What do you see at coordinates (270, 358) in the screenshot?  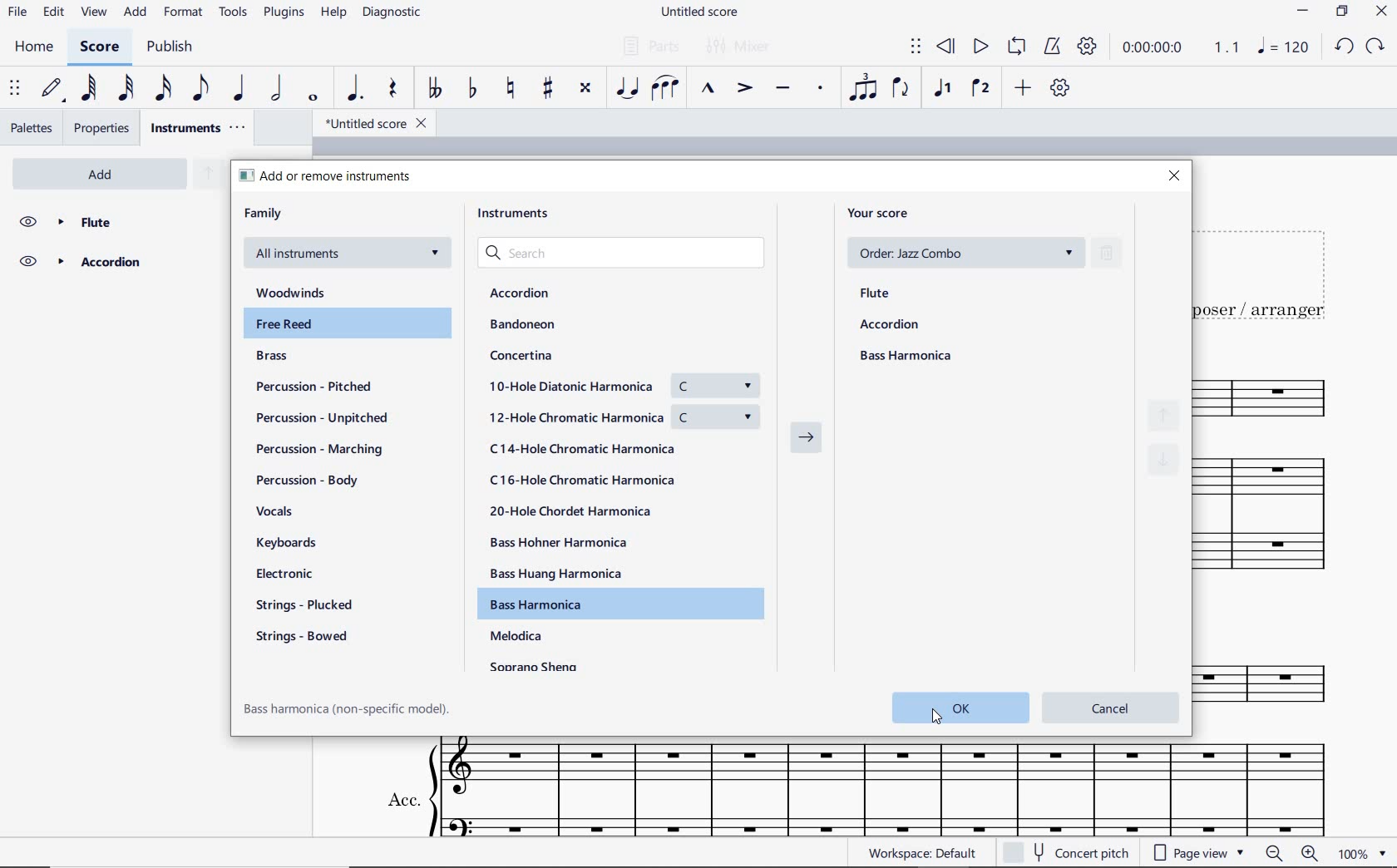 I see `brass` at bounding box center [270, 358].